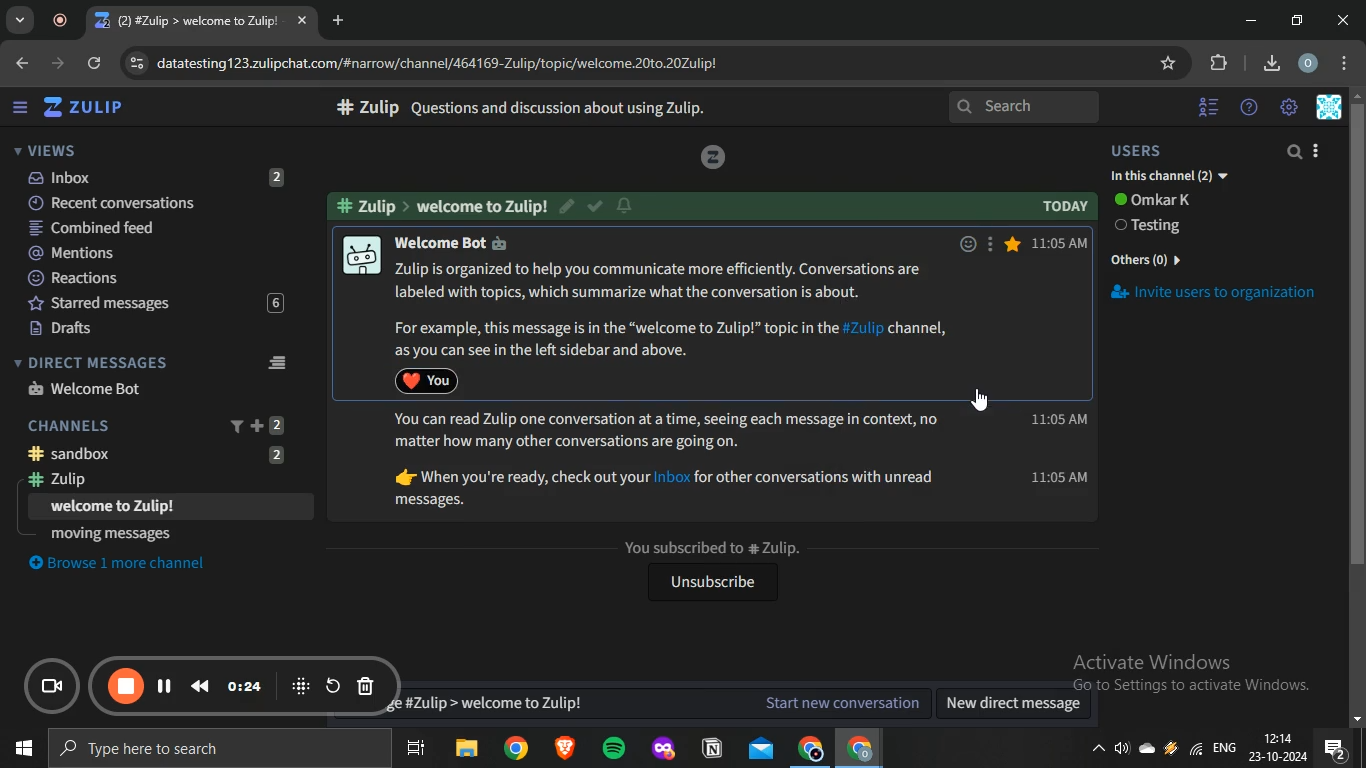 Image resolution: width=1366 pixels, height=768 pixels. Describe the element at coordinates (988, 242) in the screenshot. I see `message actions` at that location.